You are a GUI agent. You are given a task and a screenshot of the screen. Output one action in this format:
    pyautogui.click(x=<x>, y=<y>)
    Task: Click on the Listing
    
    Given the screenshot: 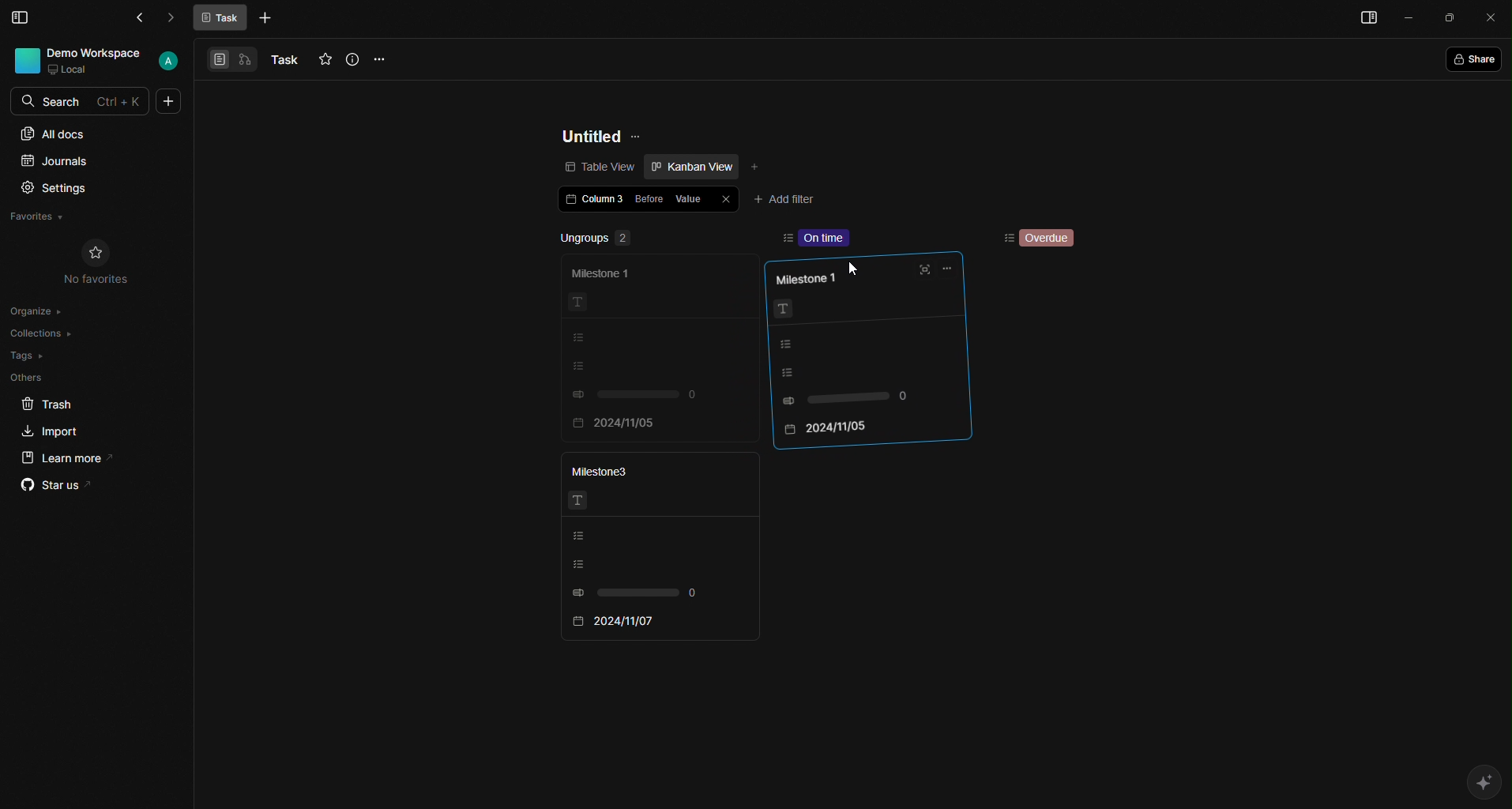 What is the action you would take?
    pyautogui.click(x=791, y=374)
    